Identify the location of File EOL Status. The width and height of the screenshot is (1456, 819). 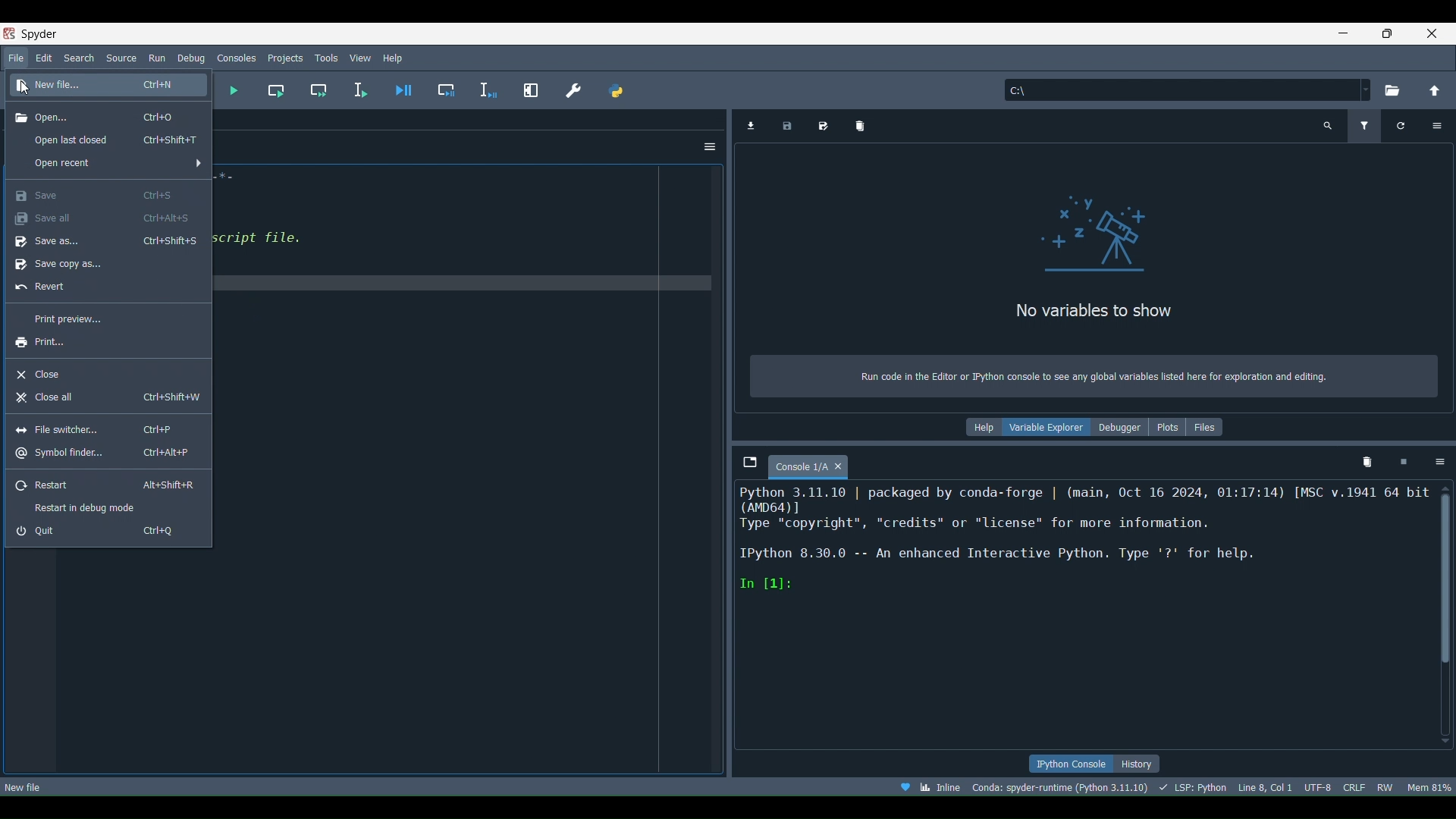
(1355, 787).